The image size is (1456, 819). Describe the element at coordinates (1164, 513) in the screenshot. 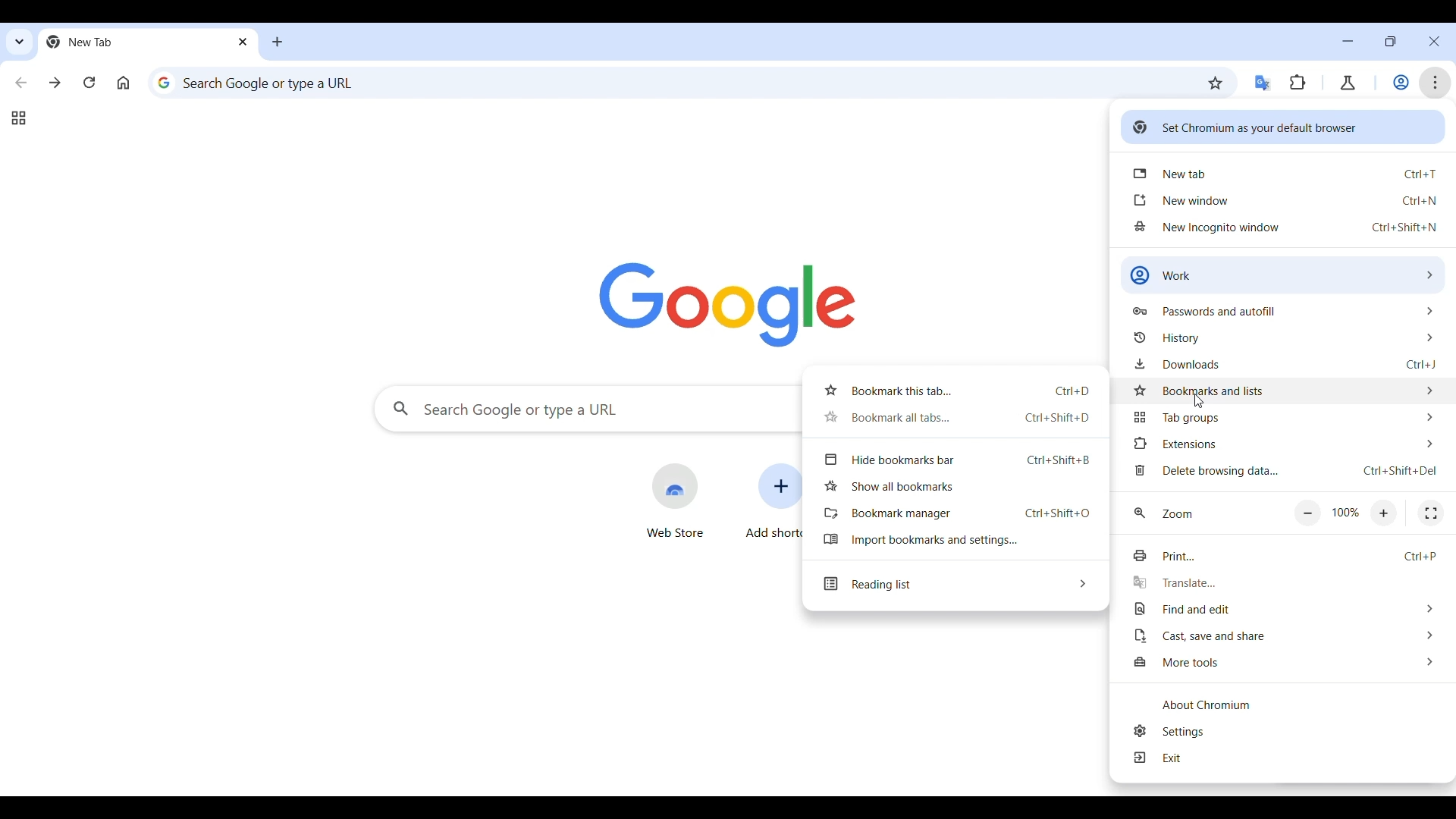

I see `Zoom ` at that location.